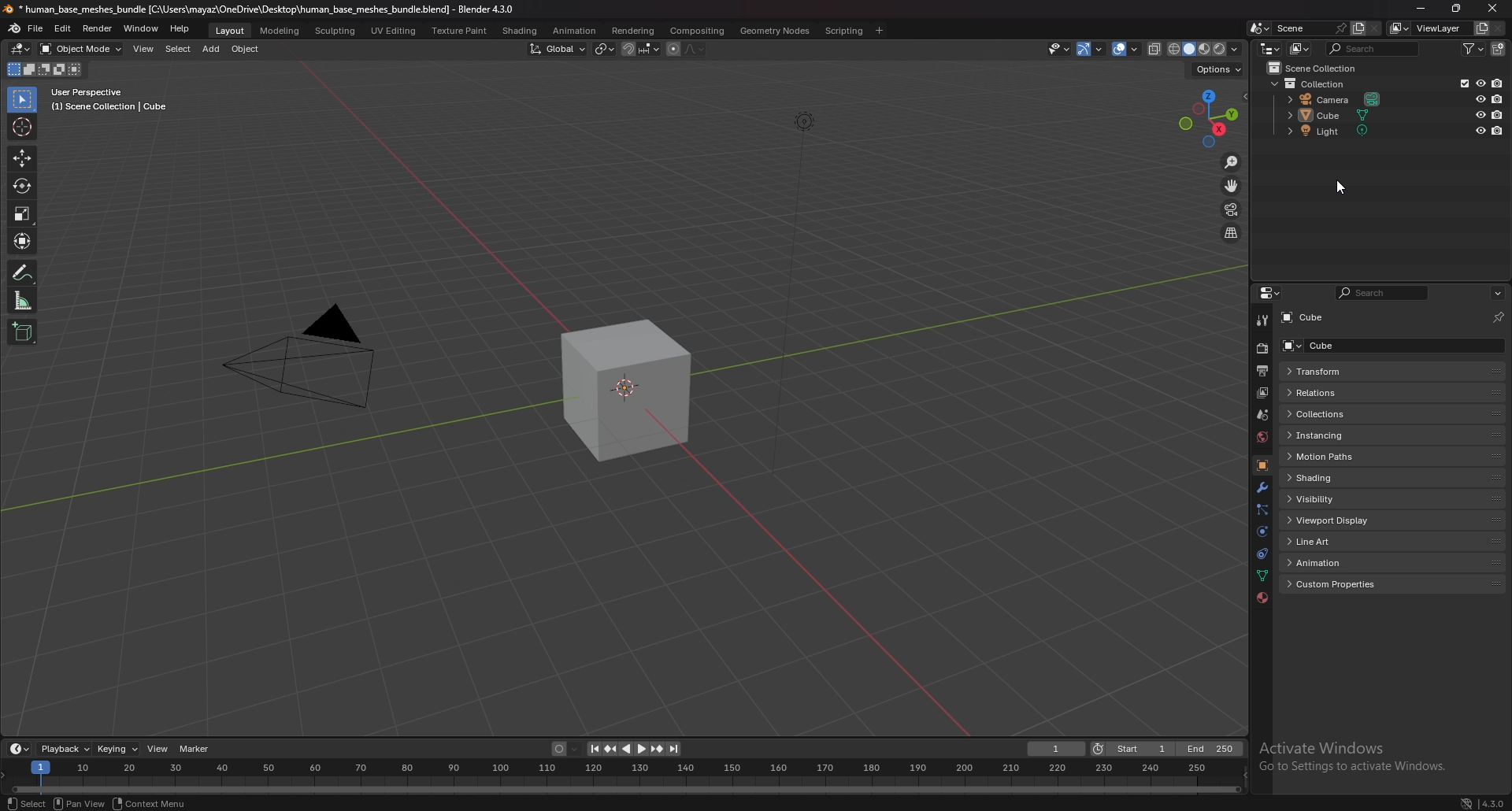 The image size is (1512, 811). What do you see at coordinates (36, 29) in the screenshot?
I see `file` at bounding box center [36, 29].